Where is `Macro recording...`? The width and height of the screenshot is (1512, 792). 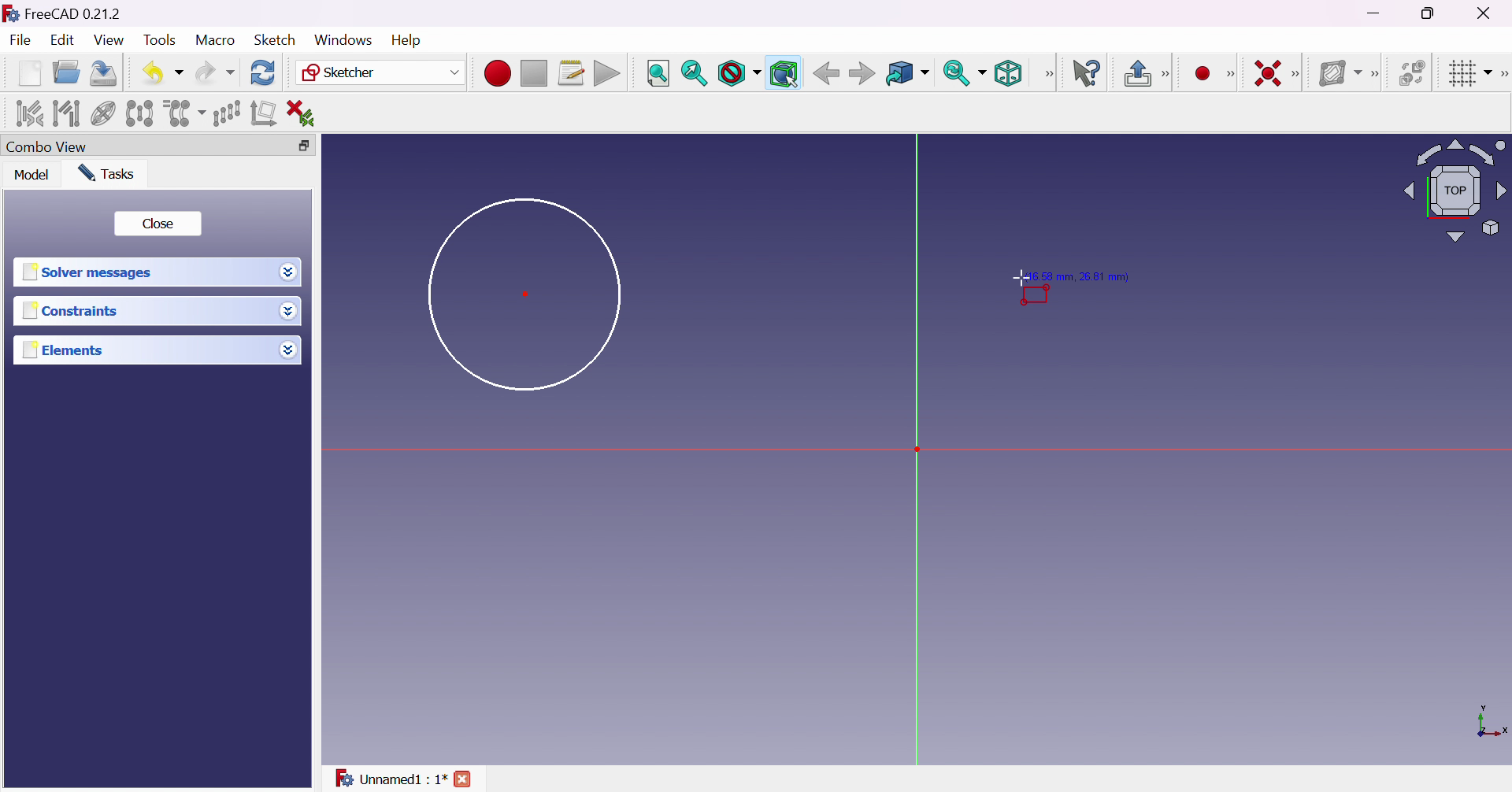
Macro recording... is located at coordinates (497, 71).